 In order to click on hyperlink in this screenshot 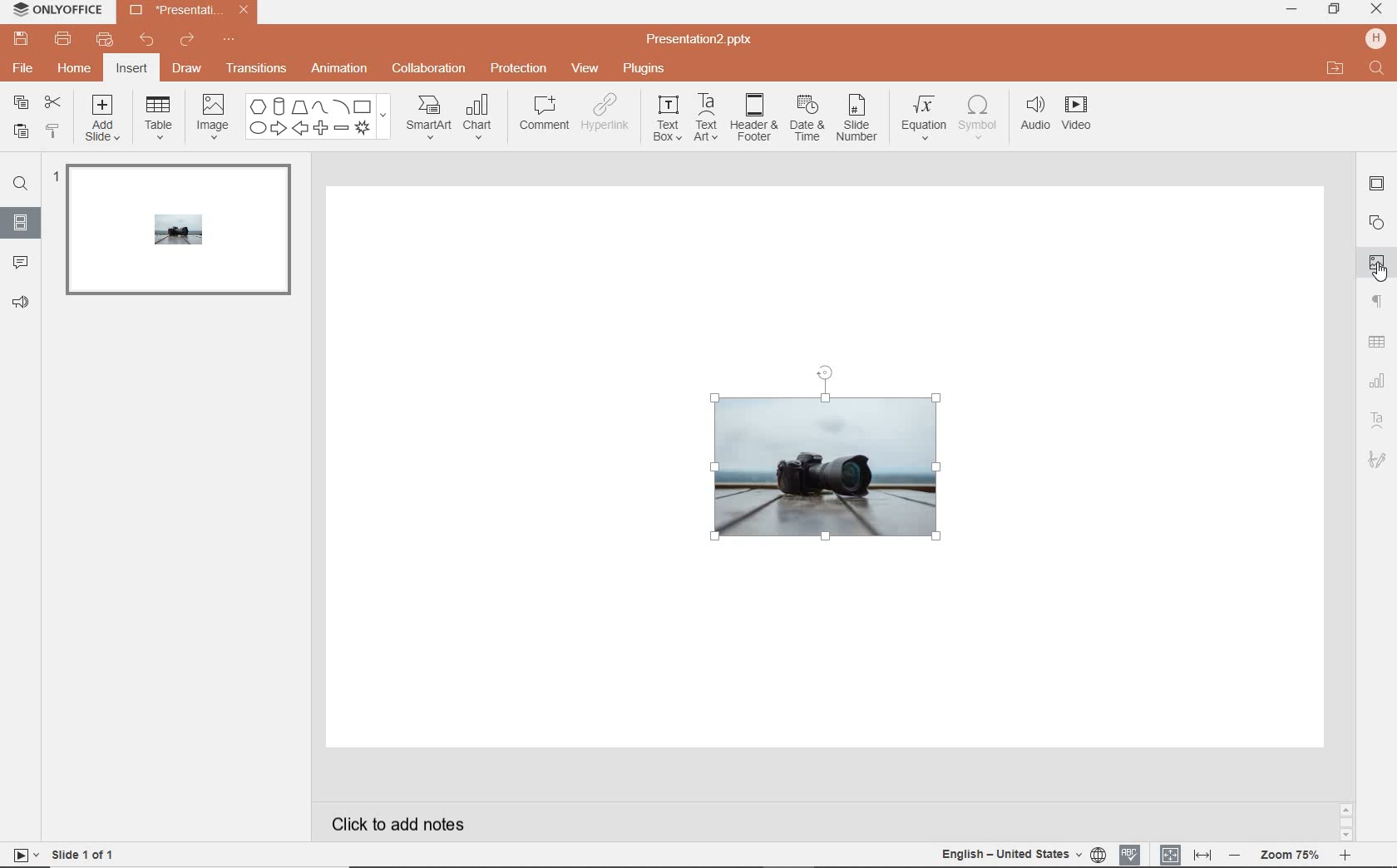, I will do `click(610, 116)`.